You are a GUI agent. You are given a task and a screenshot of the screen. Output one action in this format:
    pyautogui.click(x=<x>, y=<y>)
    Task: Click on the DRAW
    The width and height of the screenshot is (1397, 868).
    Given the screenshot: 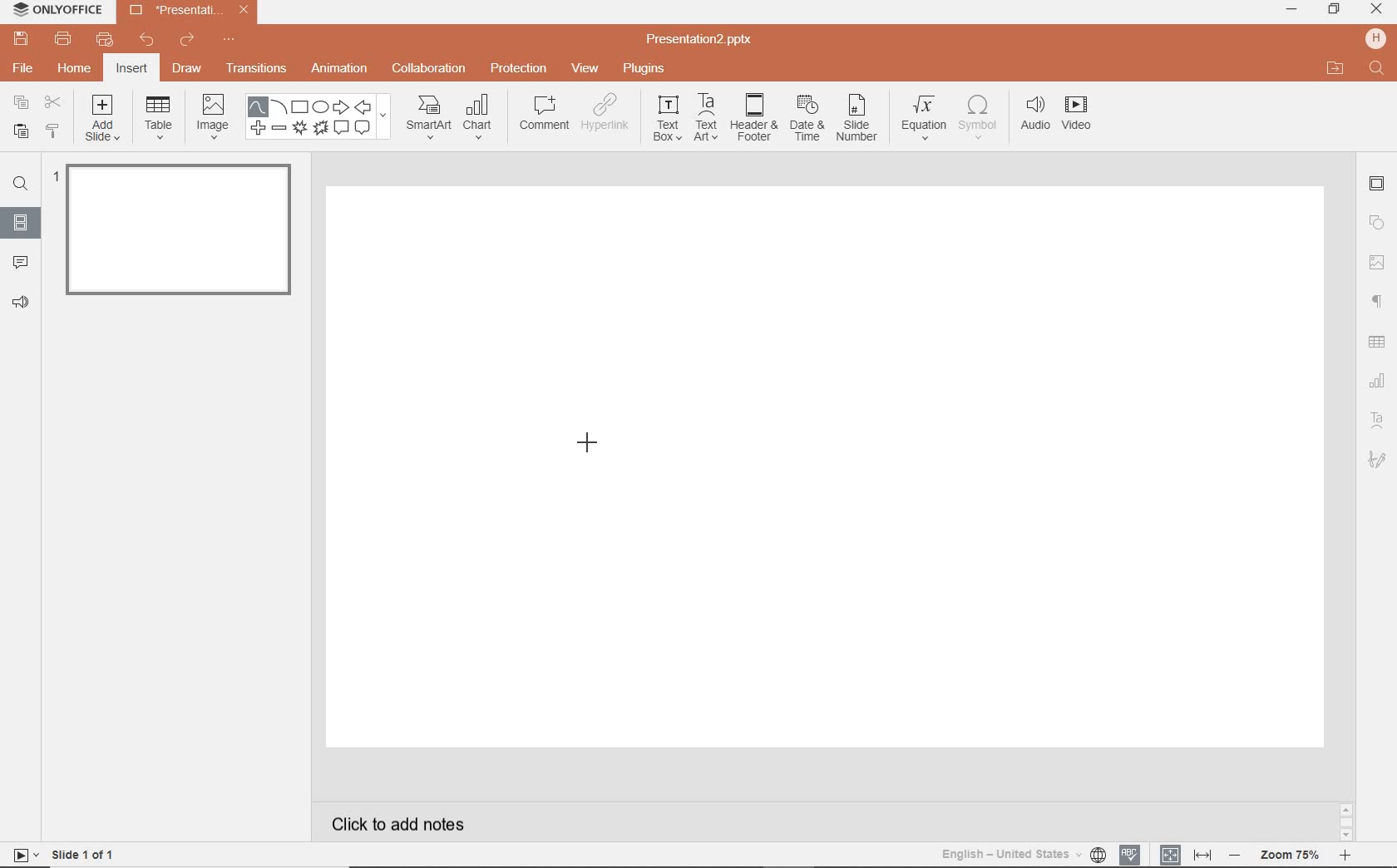 What is the action you would take?
    pyautogui.click(x=188, y=70)
    